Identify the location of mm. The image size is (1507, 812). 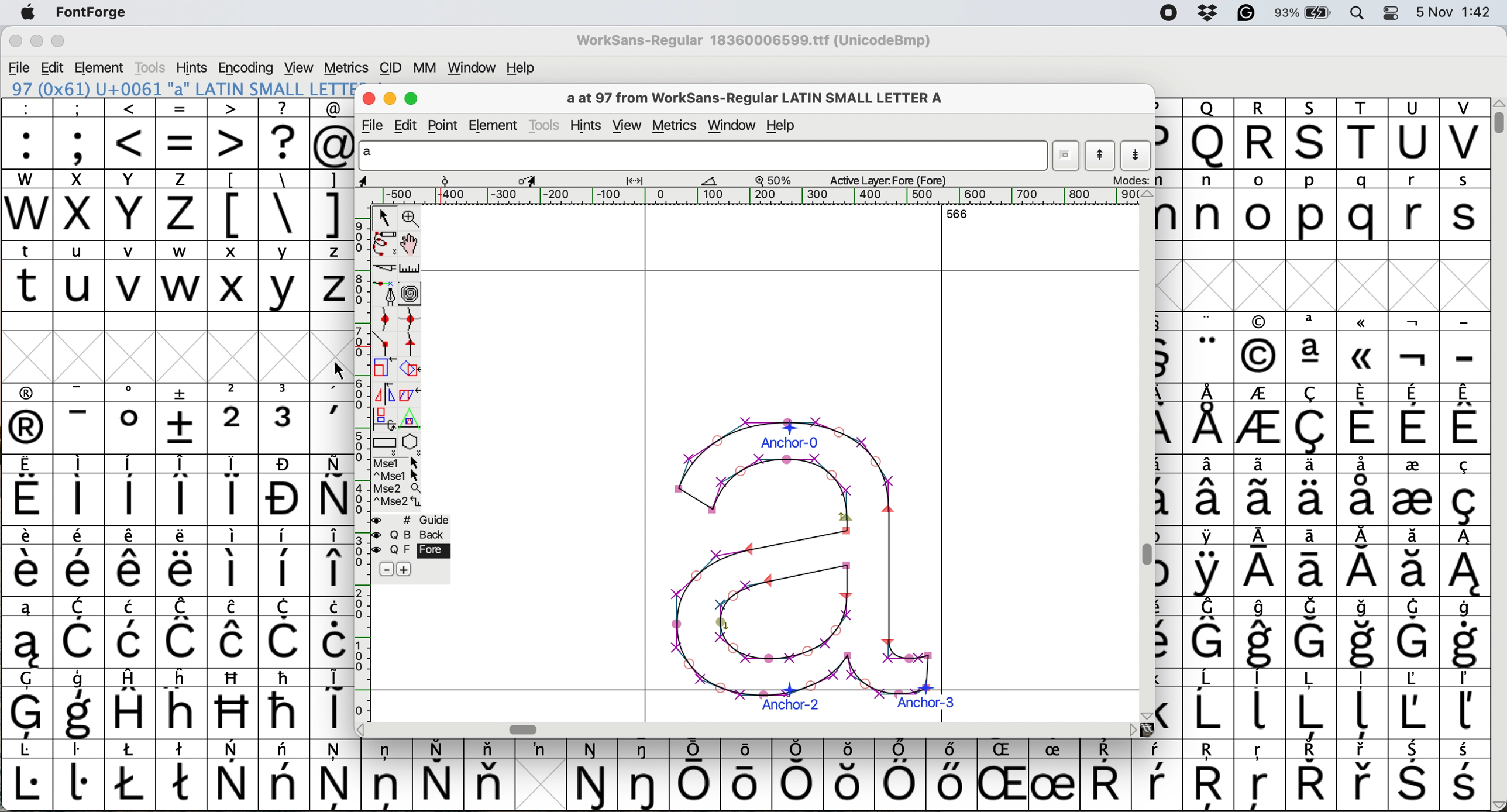
(424, 67).